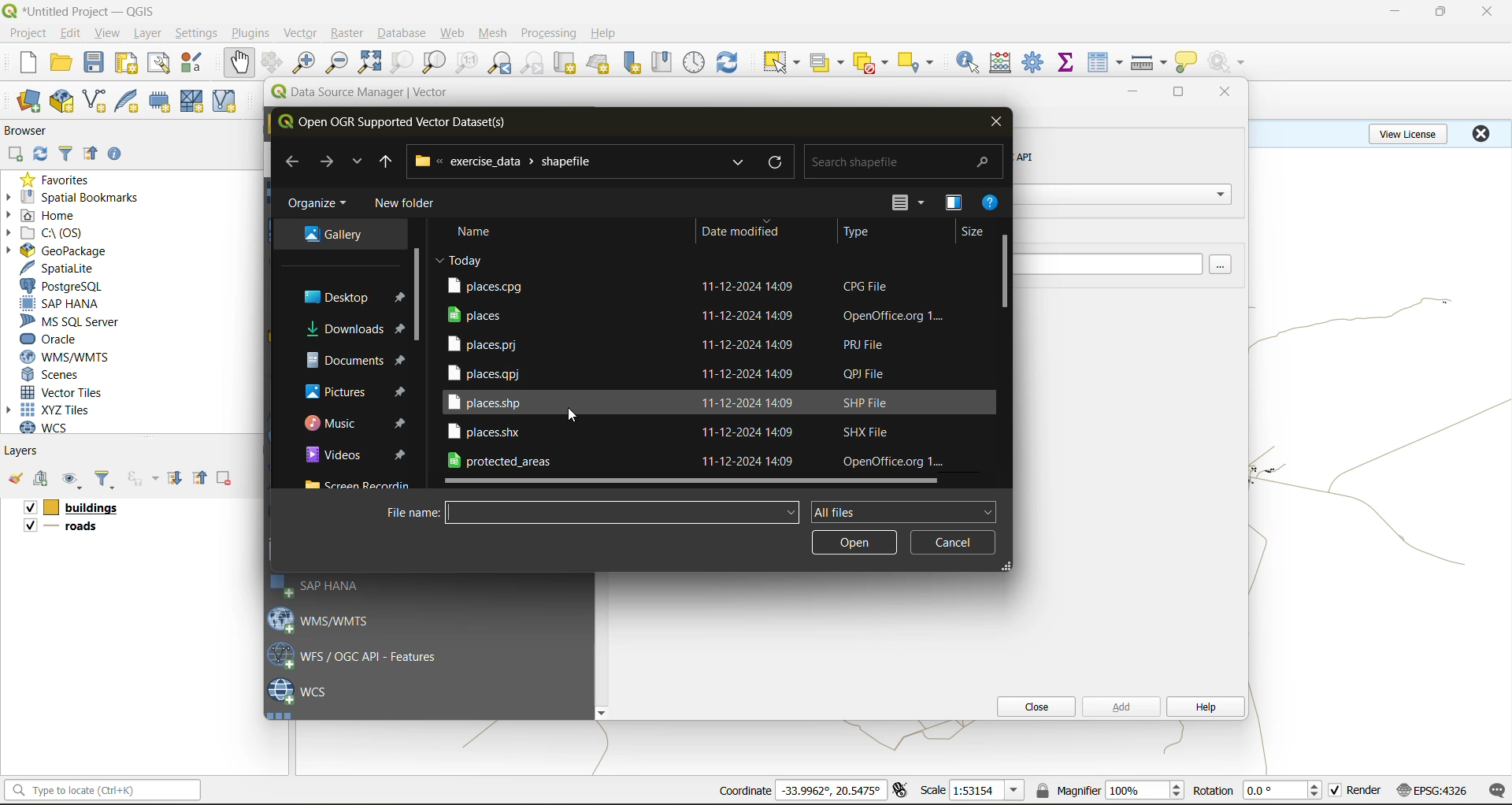  I want to click on open, so click(61, 63).